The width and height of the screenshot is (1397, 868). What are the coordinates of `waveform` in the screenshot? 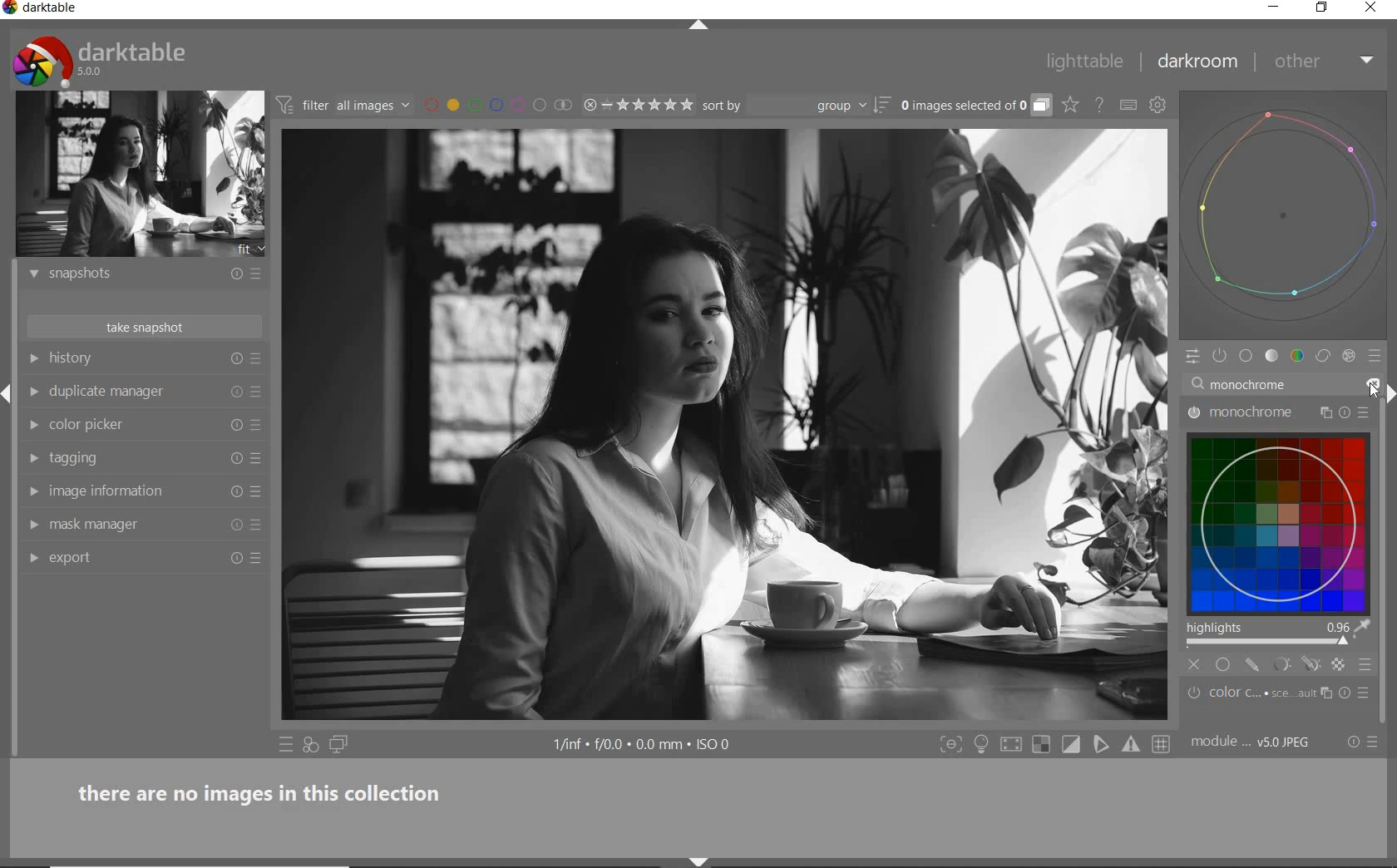 It's located at (1284, 214).